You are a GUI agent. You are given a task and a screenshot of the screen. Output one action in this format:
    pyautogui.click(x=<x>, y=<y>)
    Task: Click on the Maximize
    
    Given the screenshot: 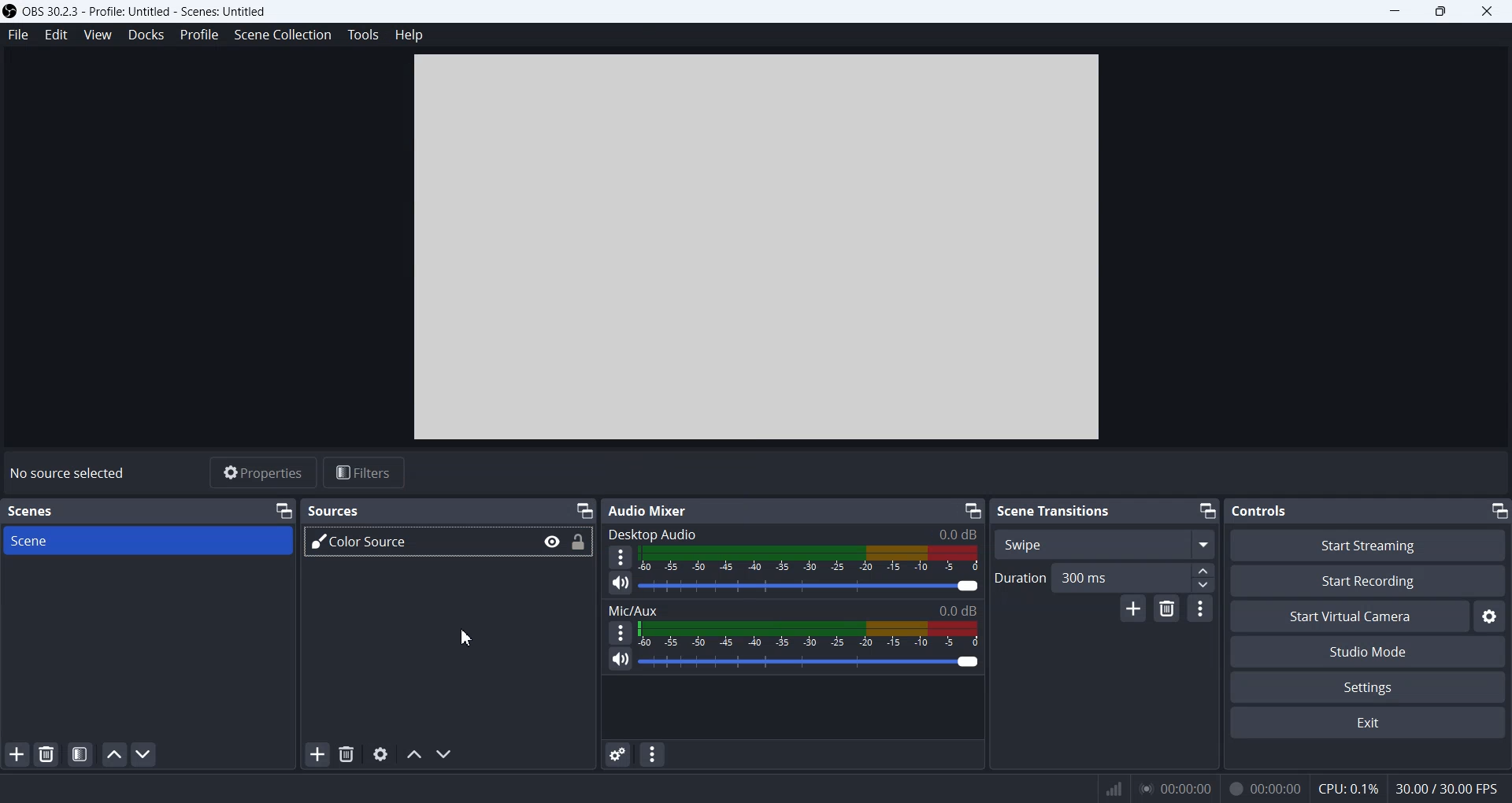 What is the action you would take?
    pyautogui.click(x=1443, y=12)
    